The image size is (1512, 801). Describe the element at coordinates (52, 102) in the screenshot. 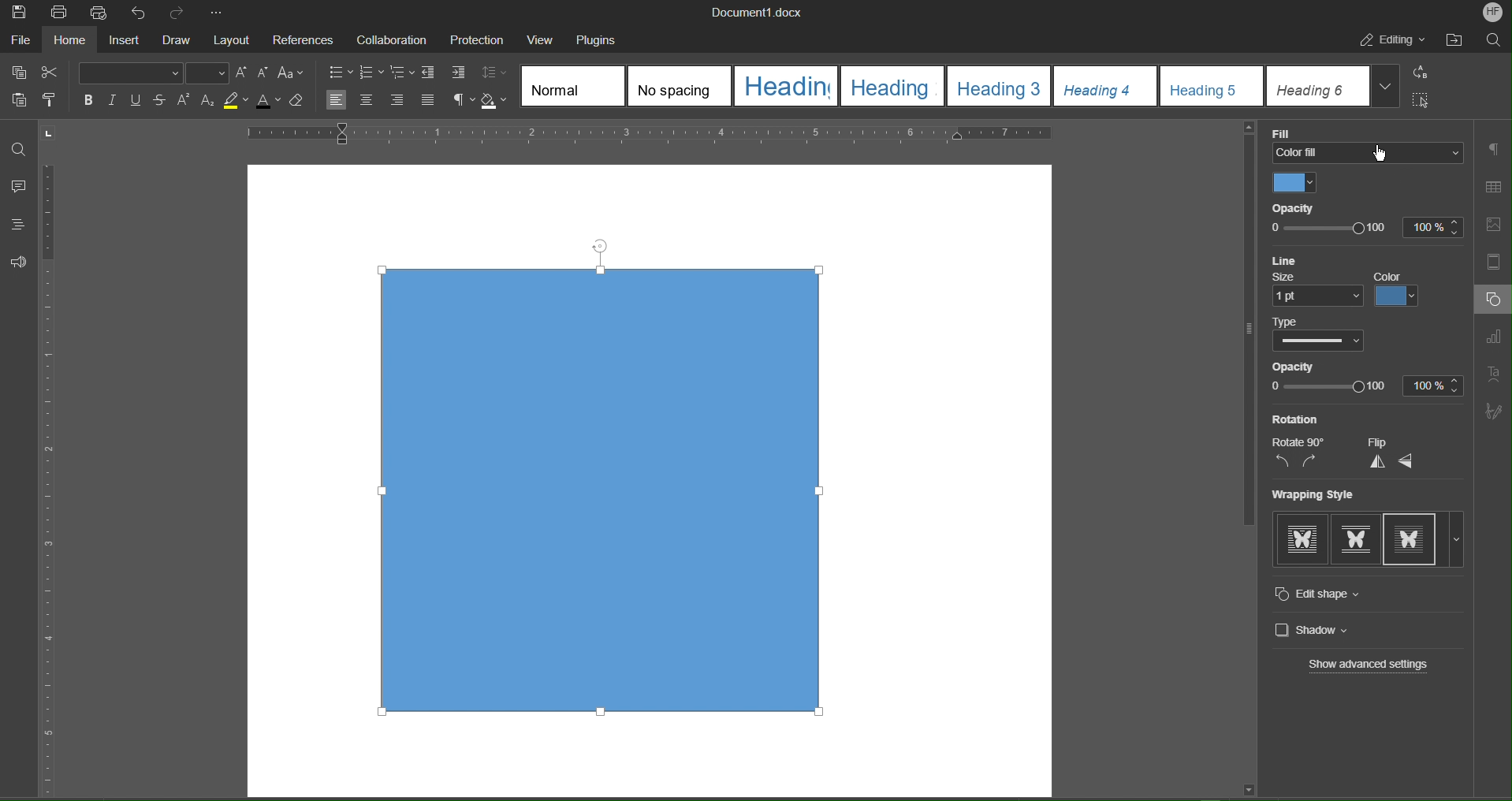

I see `Style Copy` at that location.